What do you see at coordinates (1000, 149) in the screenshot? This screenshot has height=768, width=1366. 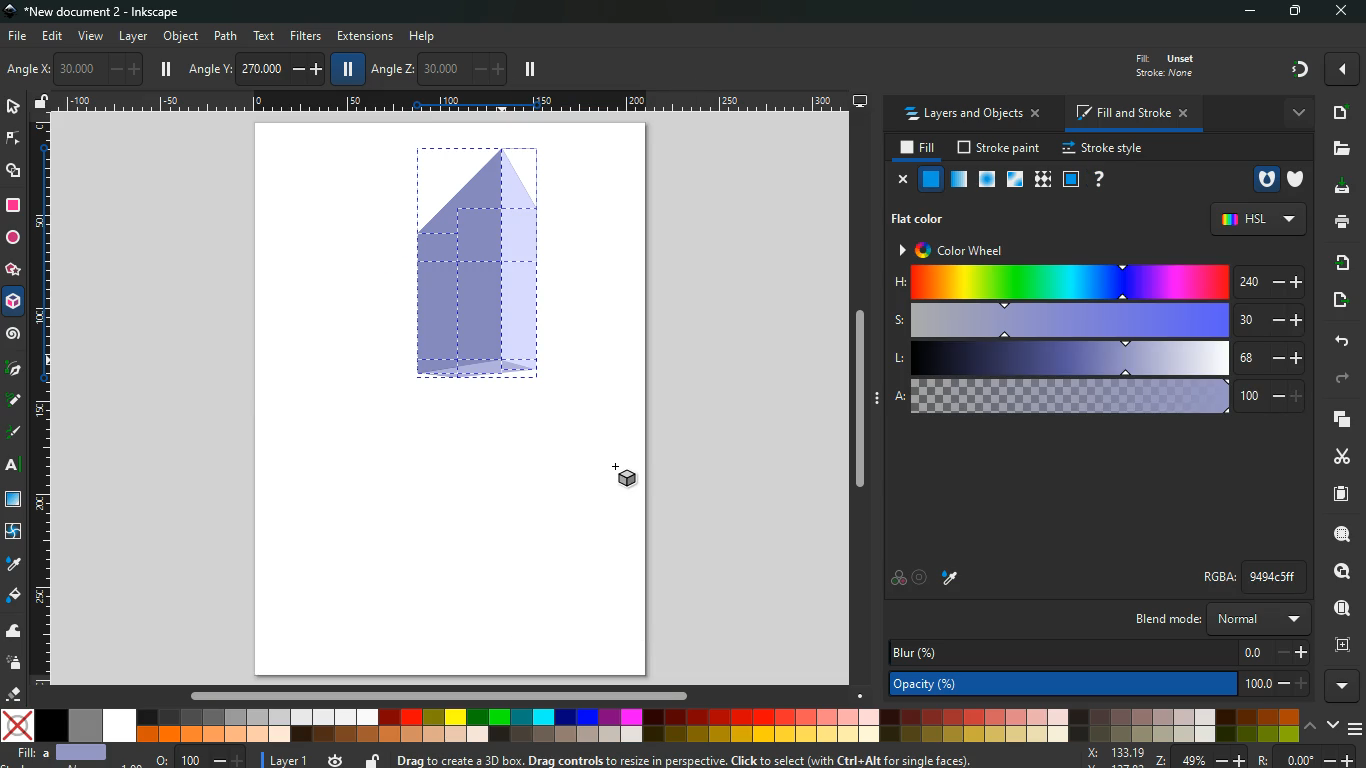 I see `stroke paint` at bounding box center [1000, 149].